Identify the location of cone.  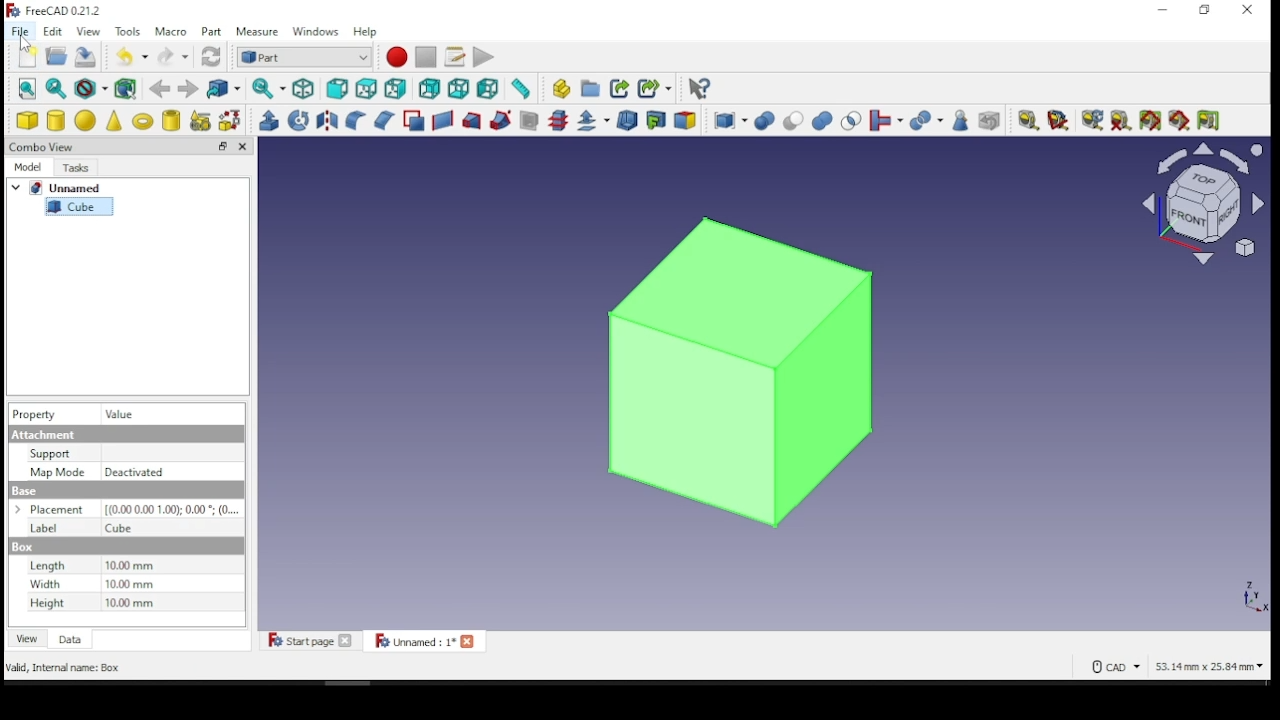
(115, 120).